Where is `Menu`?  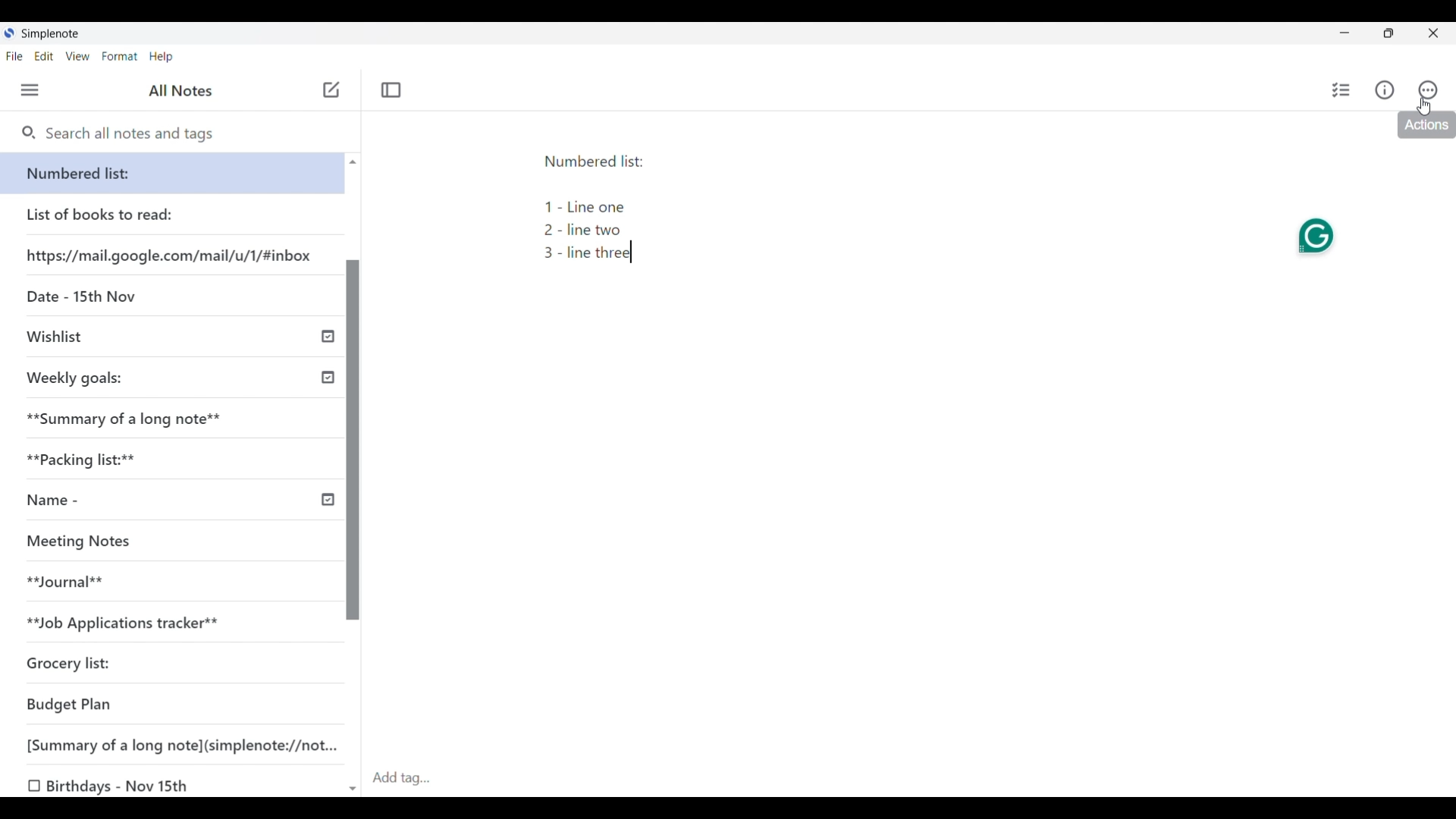
Menu is located at coordinates (30, 89).